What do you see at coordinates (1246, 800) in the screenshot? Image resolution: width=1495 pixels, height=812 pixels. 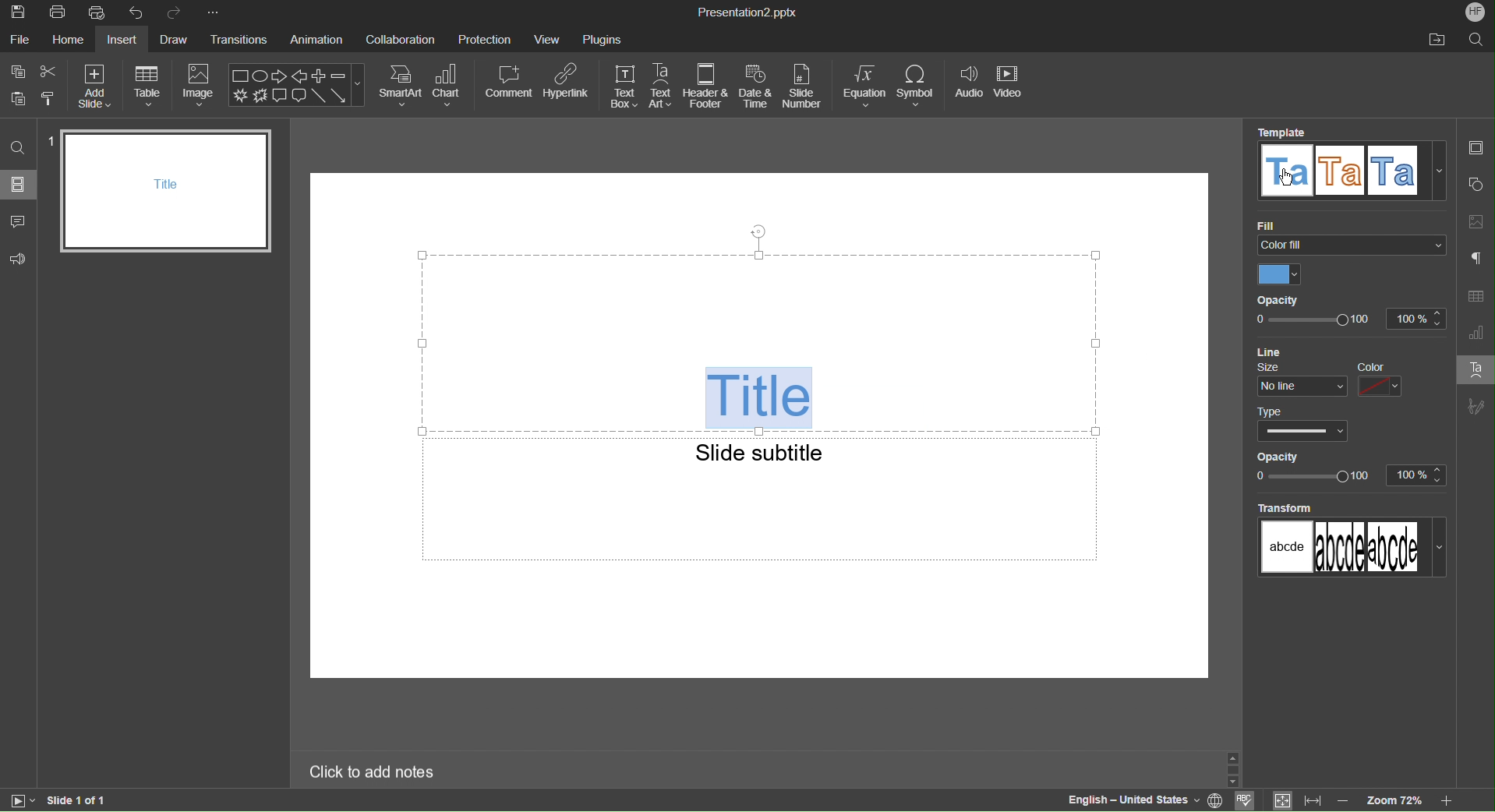 I see `check spell` at bounding box center [1246, 800].